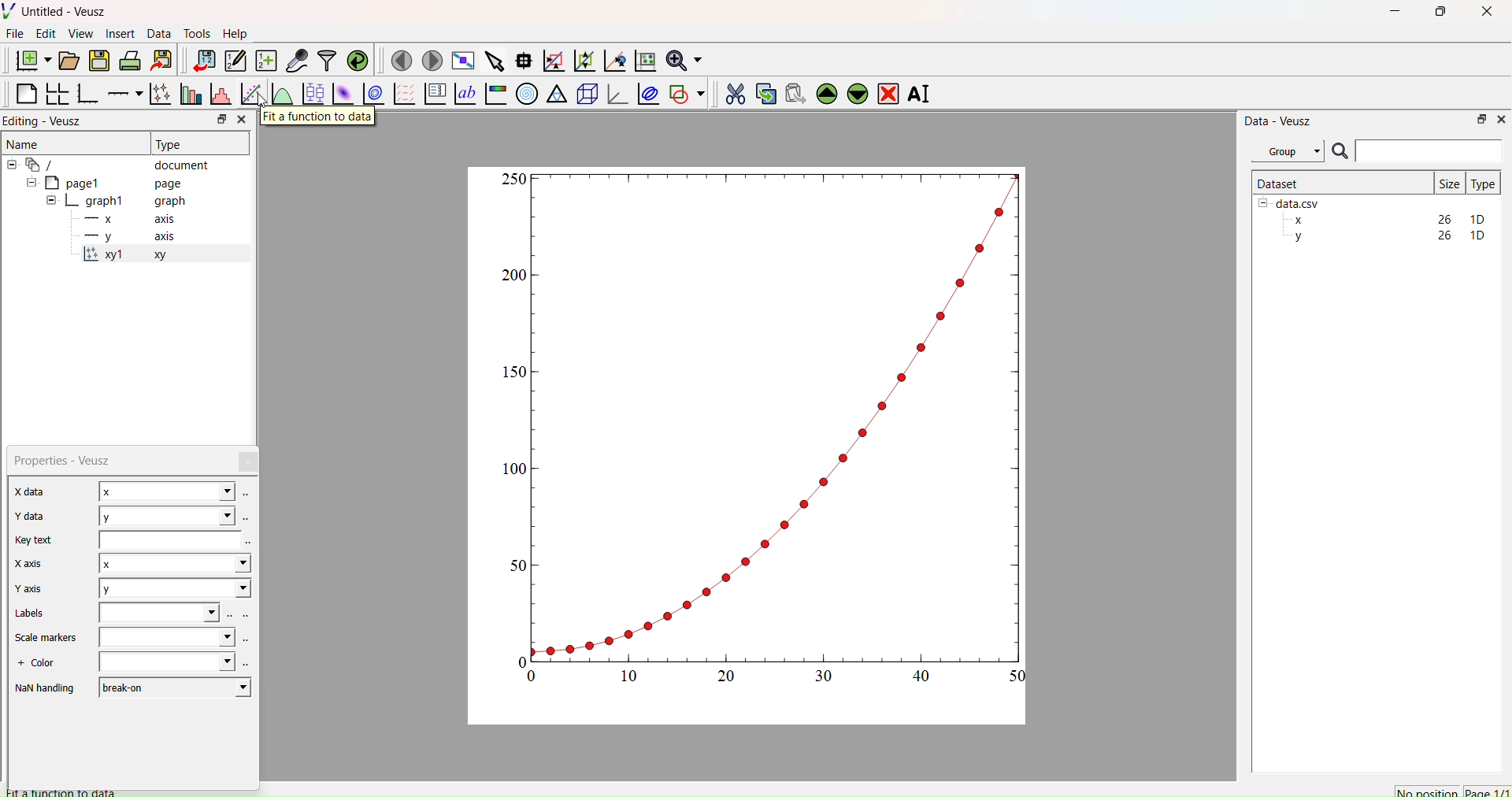 This screenshot has width=1512, height=797. I want to click on Properties - Veusz, so click(66, 461).